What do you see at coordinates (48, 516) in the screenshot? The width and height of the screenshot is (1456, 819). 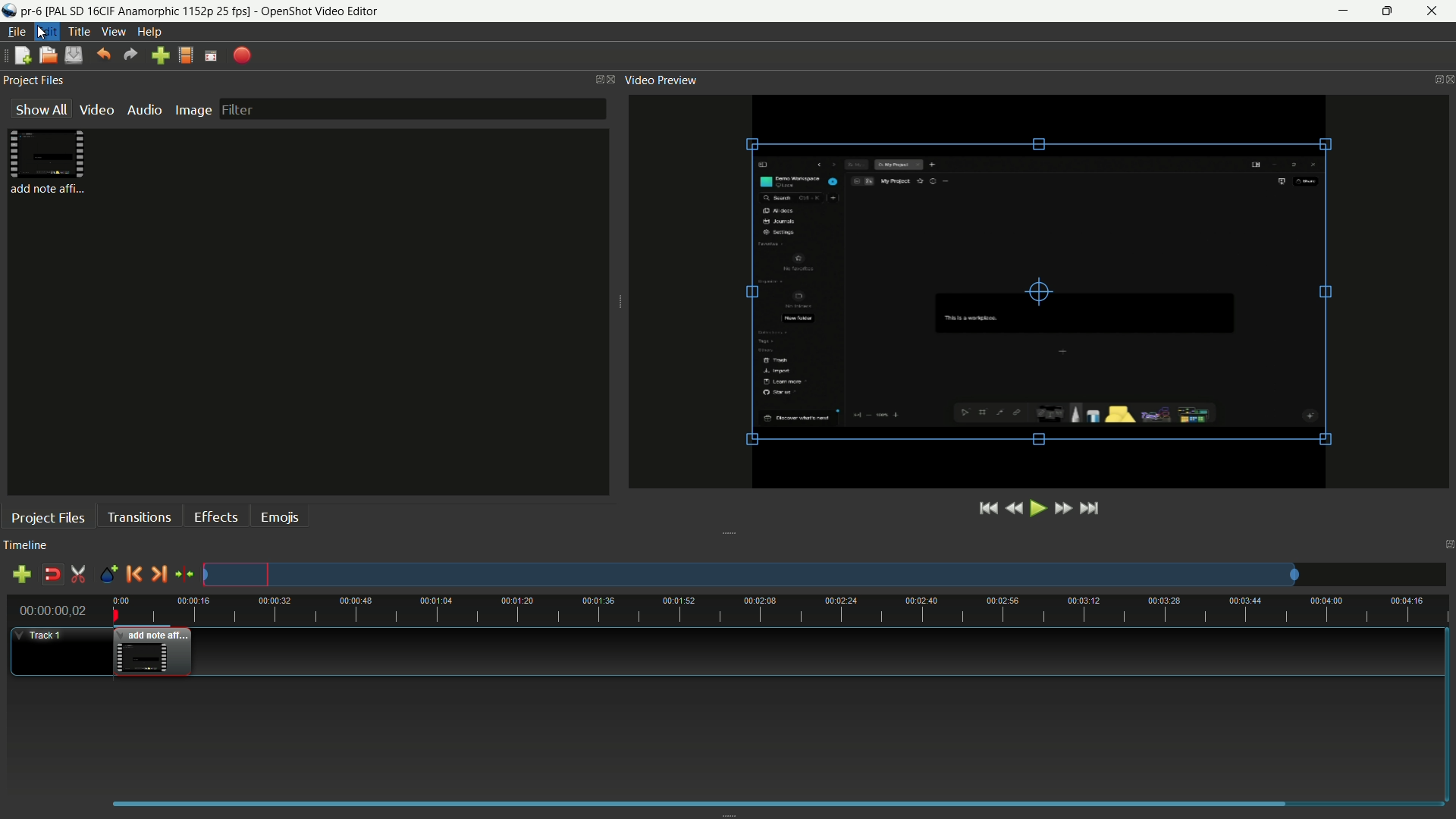 I see `project files` at bounding box center [48, 516].